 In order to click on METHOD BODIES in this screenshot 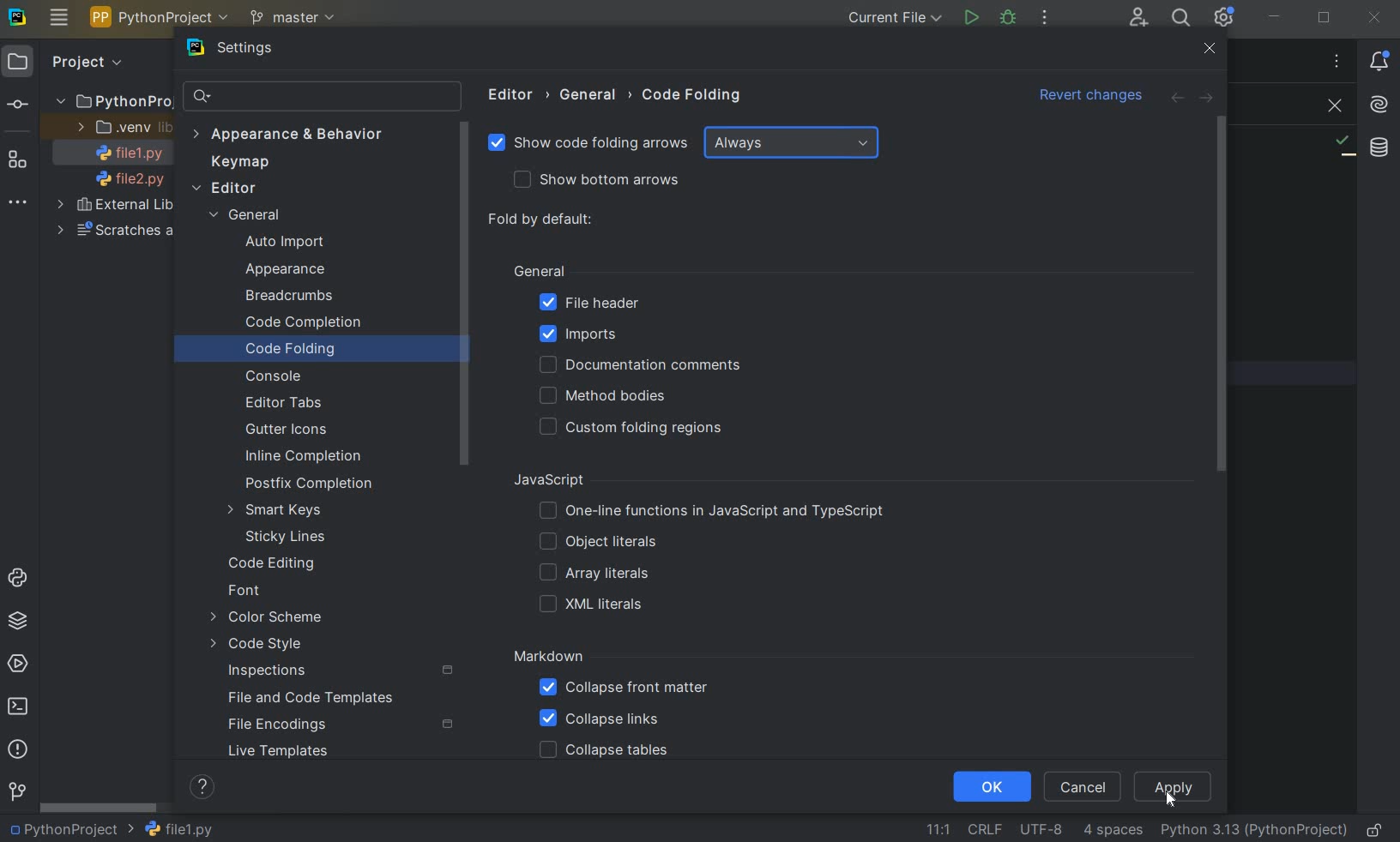, I will do `click(606, 396)`.